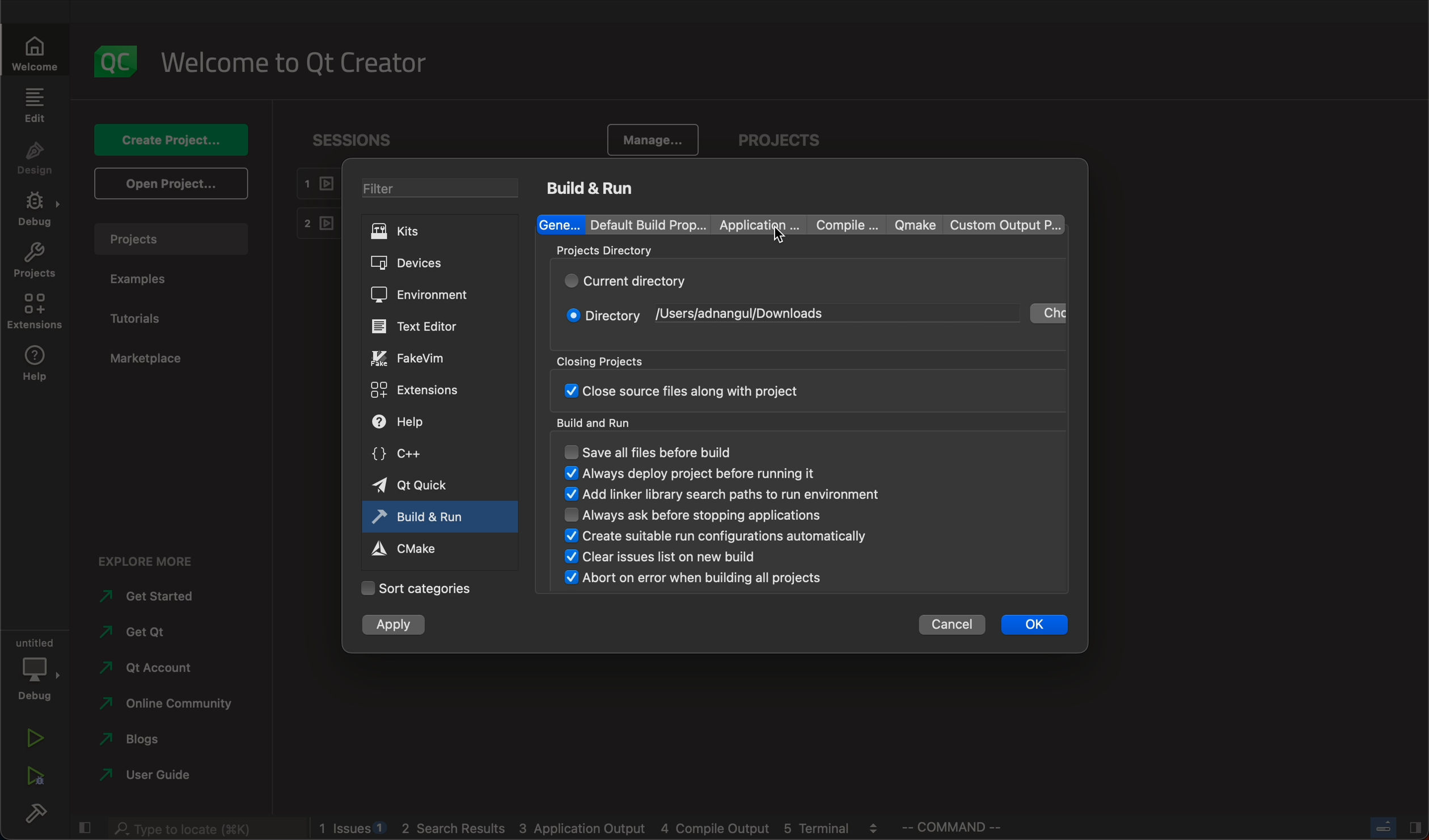 The width and height of the screenshot is (1429, 840). I want to click on devices, so click(437, 261).